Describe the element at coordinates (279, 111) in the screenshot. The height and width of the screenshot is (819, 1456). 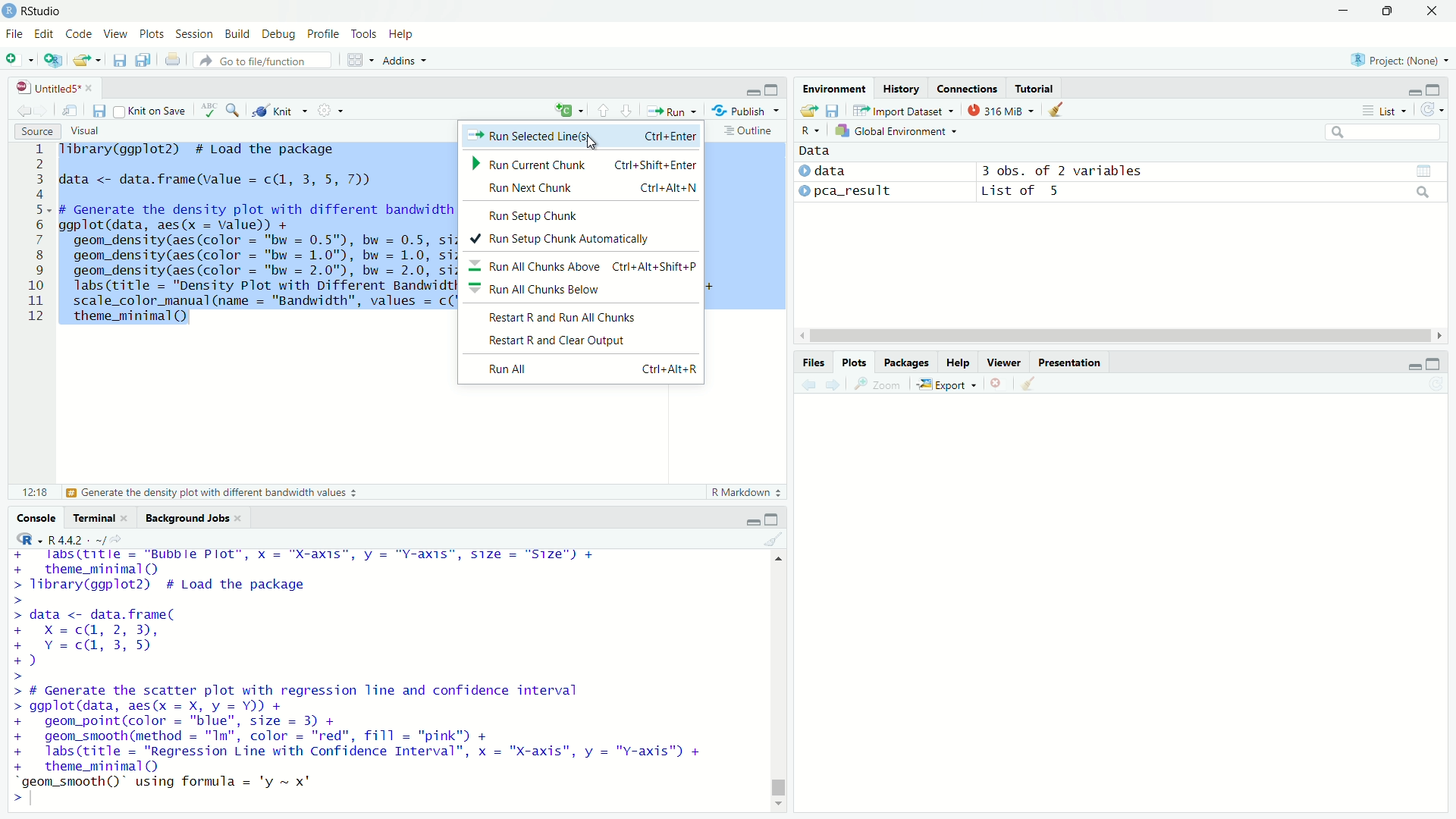
I see `Knit` at that location.